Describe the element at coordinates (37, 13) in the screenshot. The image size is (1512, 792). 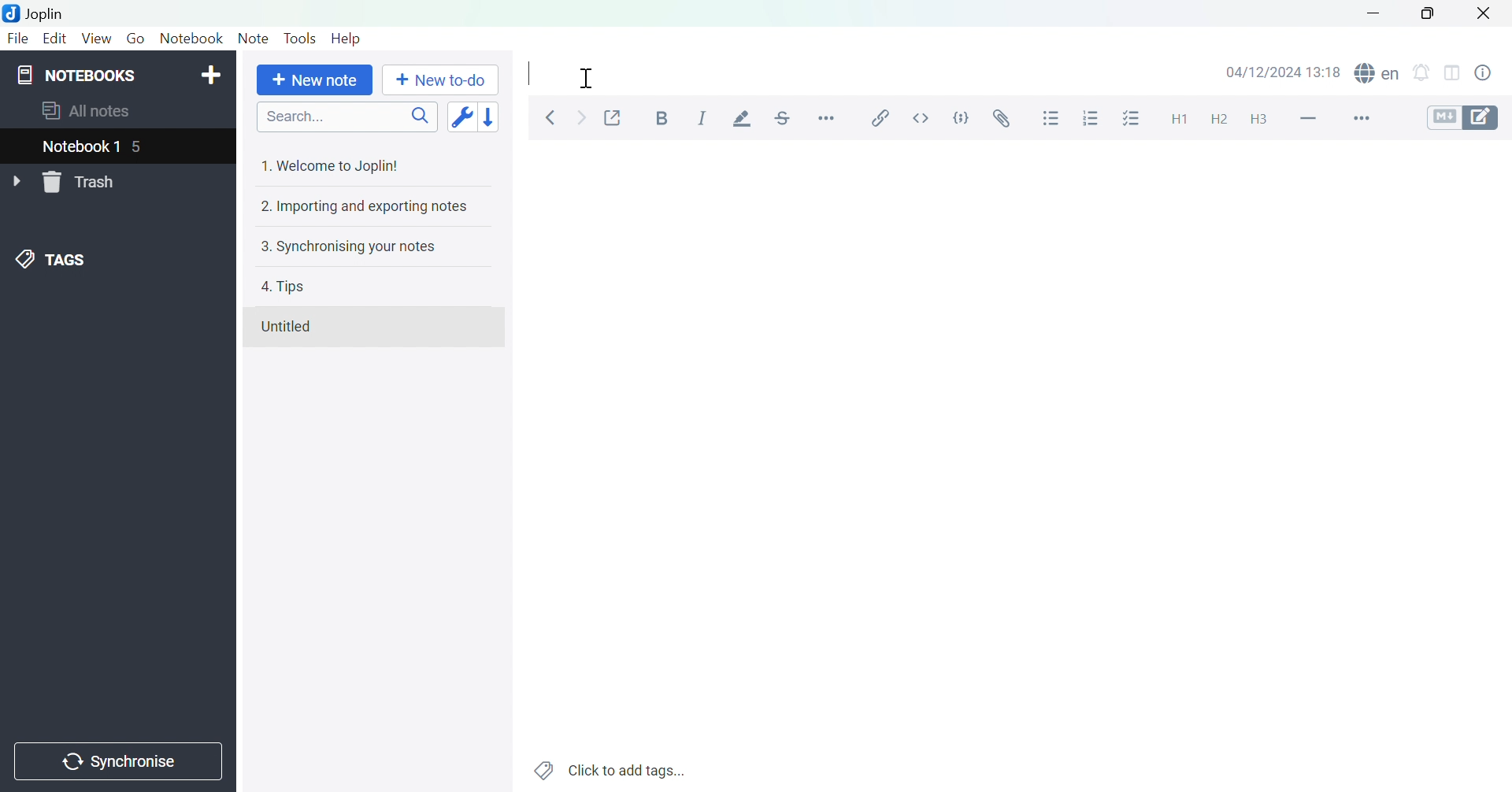
I see `Joplin` at that location.